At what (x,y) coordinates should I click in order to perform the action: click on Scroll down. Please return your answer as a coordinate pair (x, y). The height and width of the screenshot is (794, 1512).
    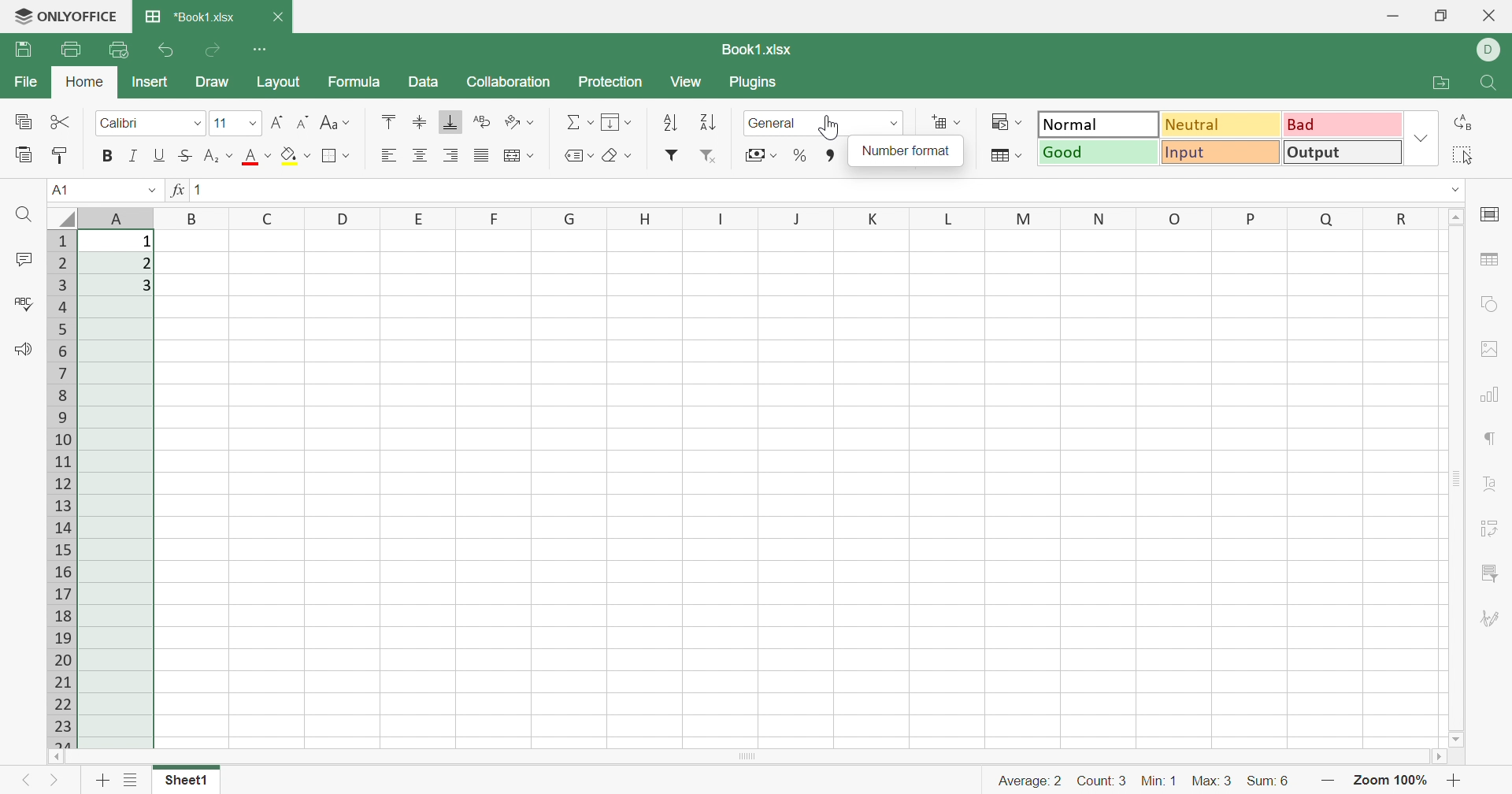
    Looking at the image, I should click on (1456, 740).